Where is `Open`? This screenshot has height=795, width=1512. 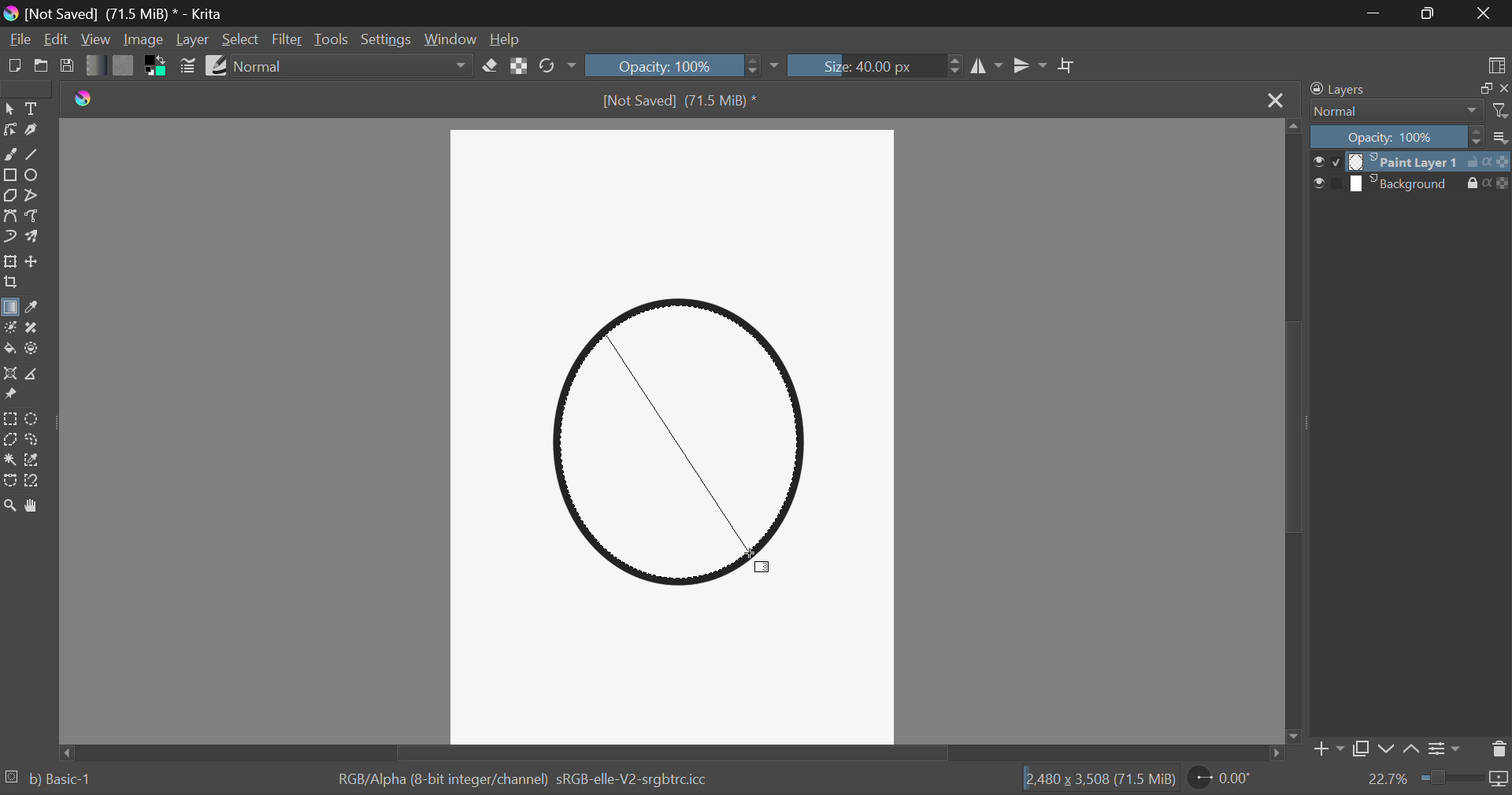 Open is located at coordinates (41, 66).